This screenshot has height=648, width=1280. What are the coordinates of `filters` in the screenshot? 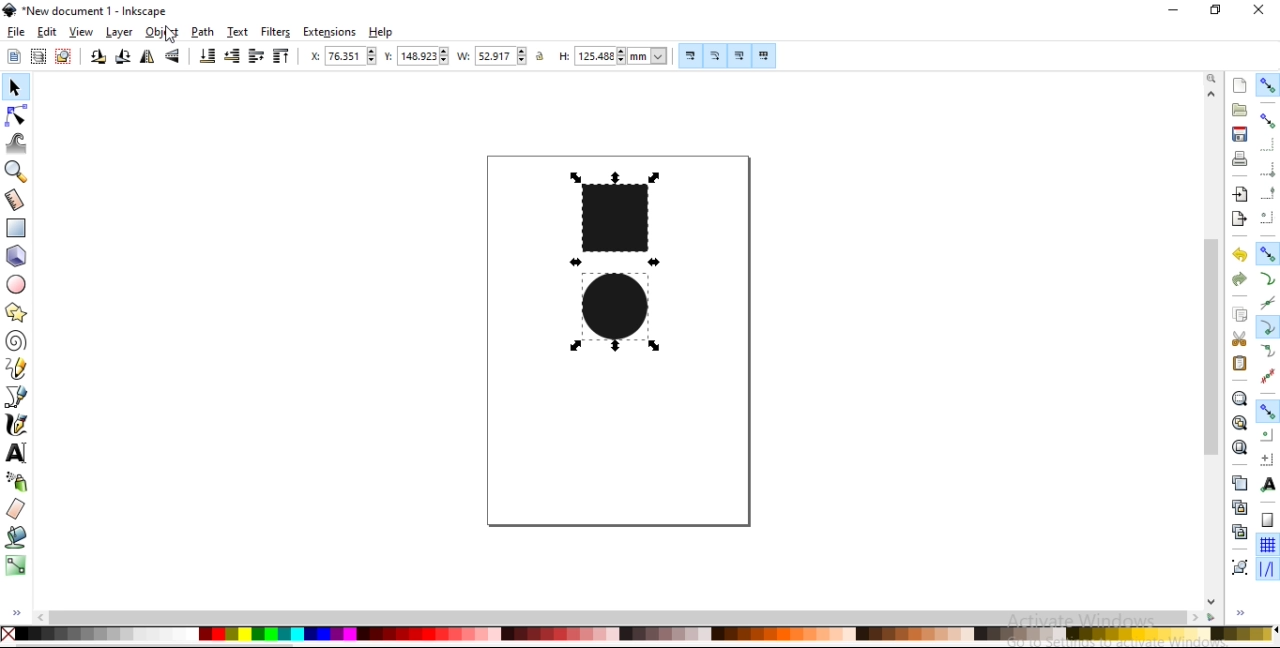 It's located at (276, 31).